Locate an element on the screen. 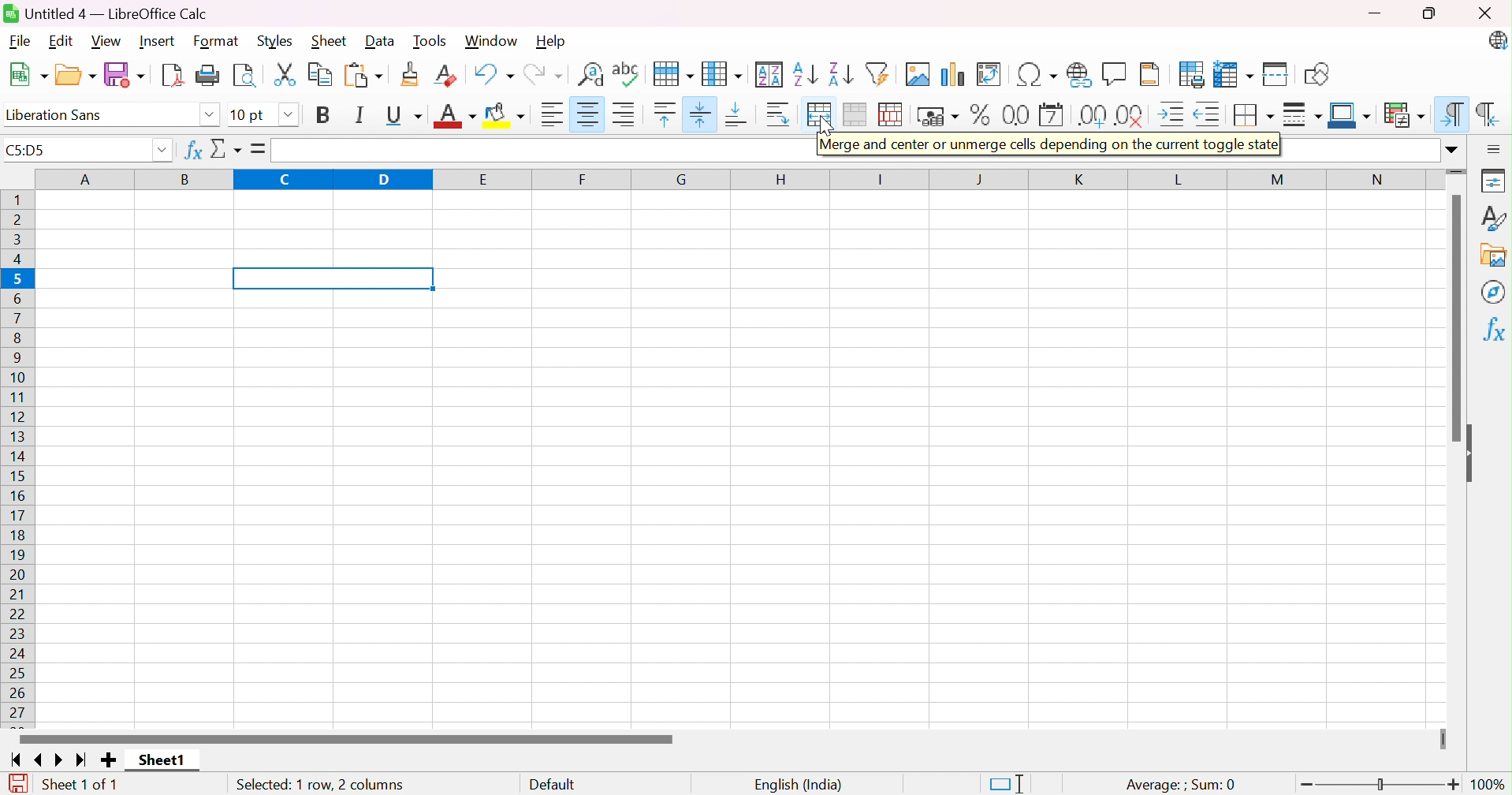  Zoom In is located at coordinates (1454, 785).